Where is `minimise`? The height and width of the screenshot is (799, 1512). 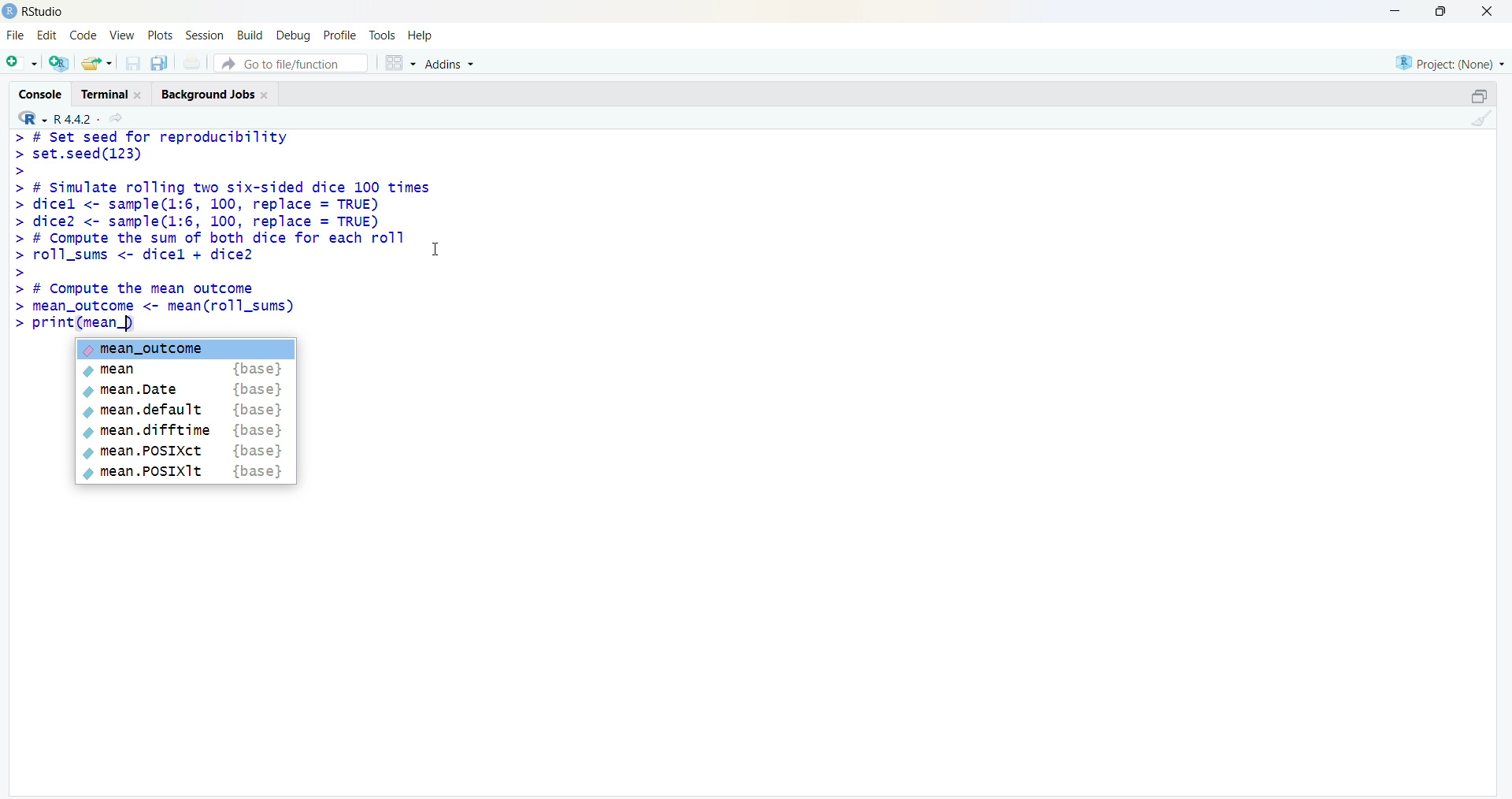
minimise is located at coordinates (1397, 9).